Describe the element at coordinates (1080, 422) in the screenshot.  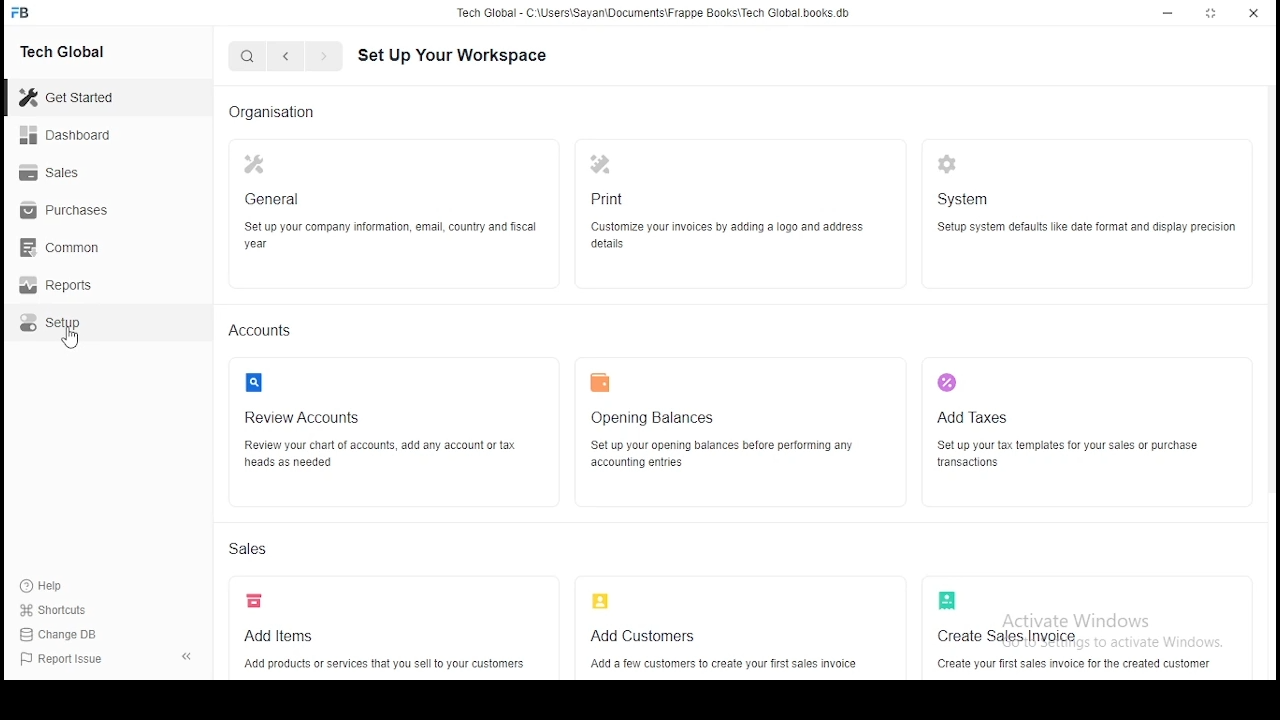
I see `Add Taxes` at that location.